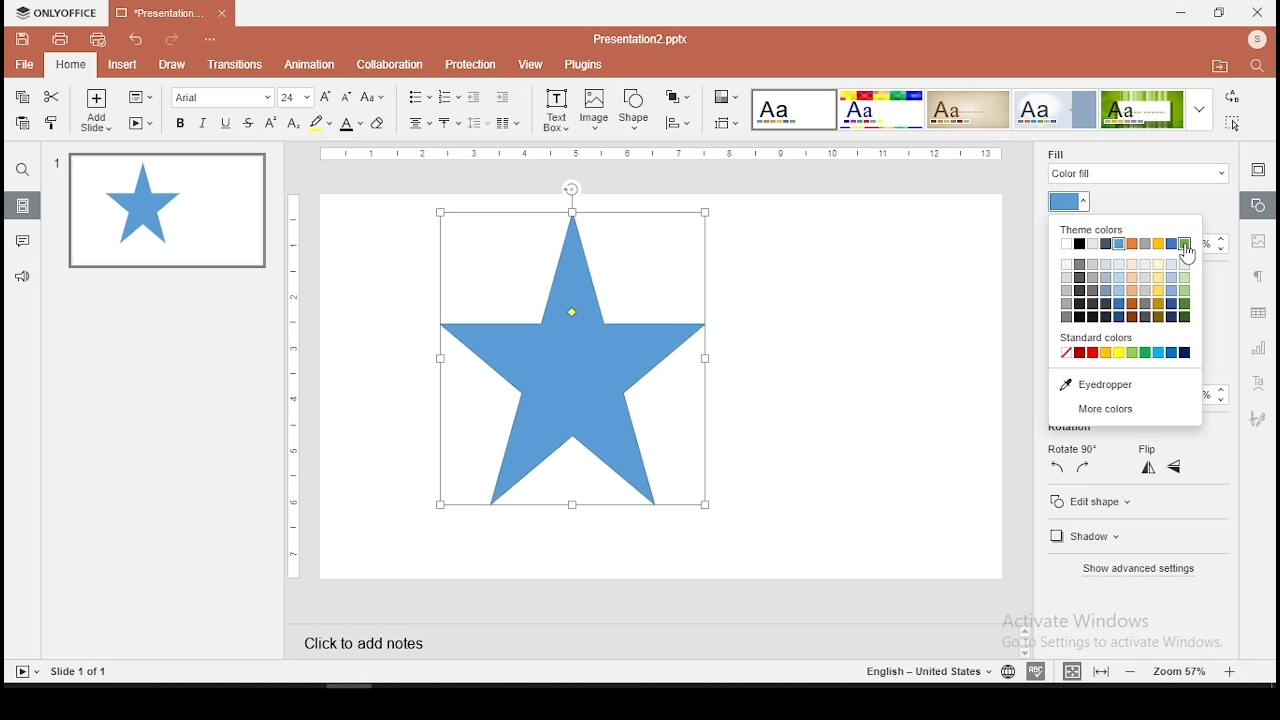  I want to click on font color, so click(351, 124).